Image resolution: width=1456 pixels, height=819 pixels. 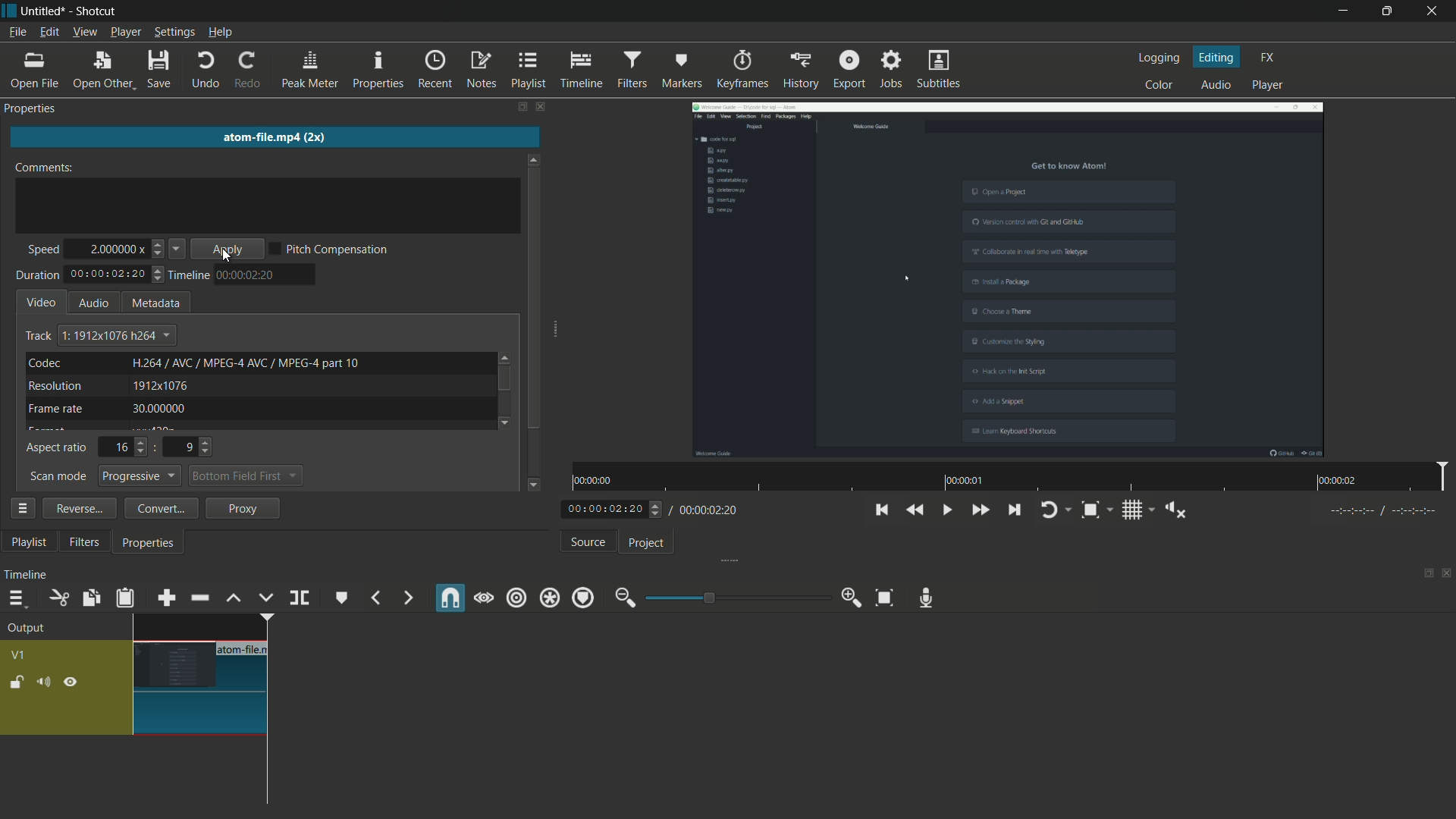 What do you see at coordinates (236, 249) in the screenshot?
I see `apply` at bounding box center [236, 249].